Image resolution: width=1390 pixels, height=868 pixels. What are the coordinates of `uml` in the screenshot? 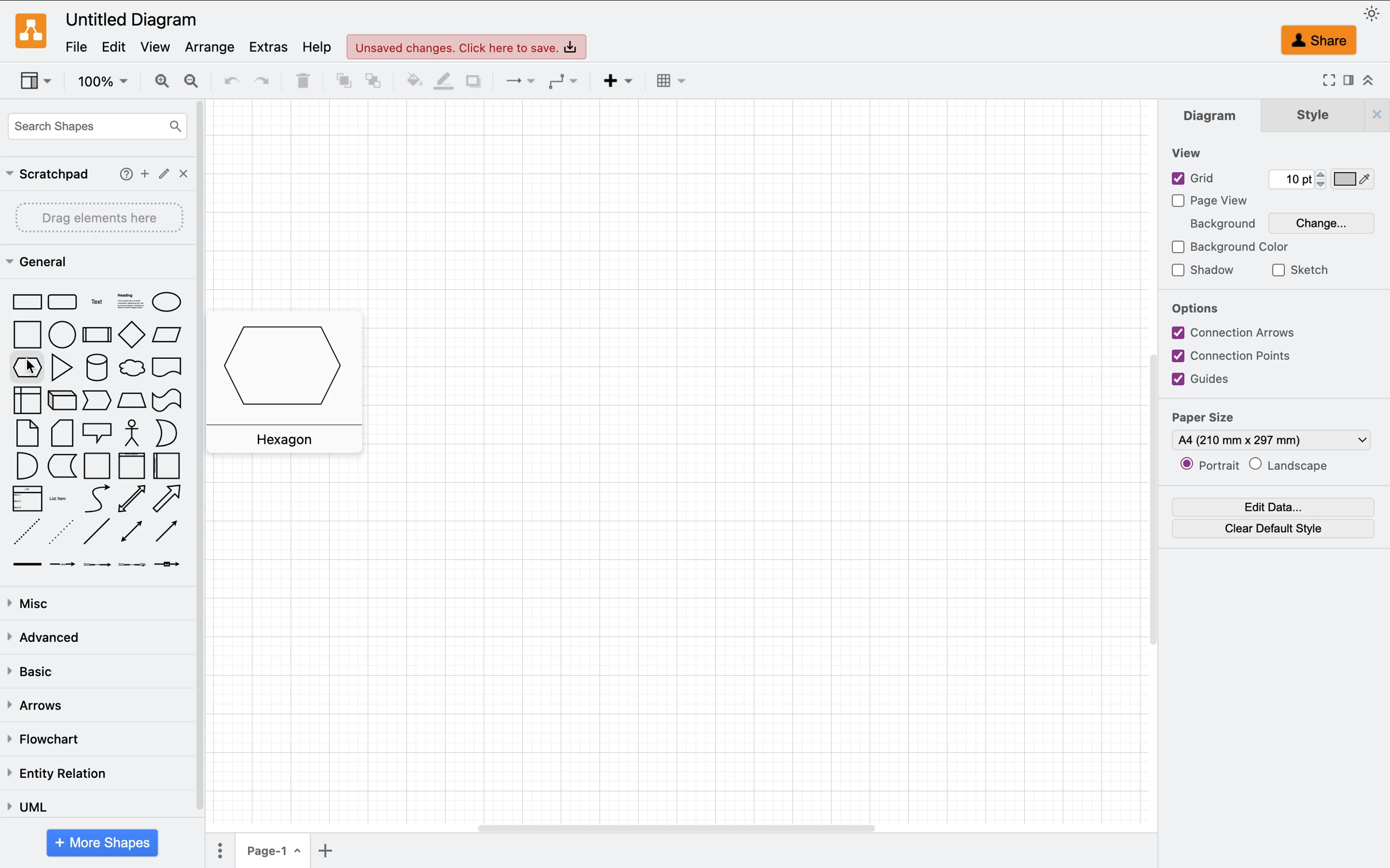 It's located at (25, 805).